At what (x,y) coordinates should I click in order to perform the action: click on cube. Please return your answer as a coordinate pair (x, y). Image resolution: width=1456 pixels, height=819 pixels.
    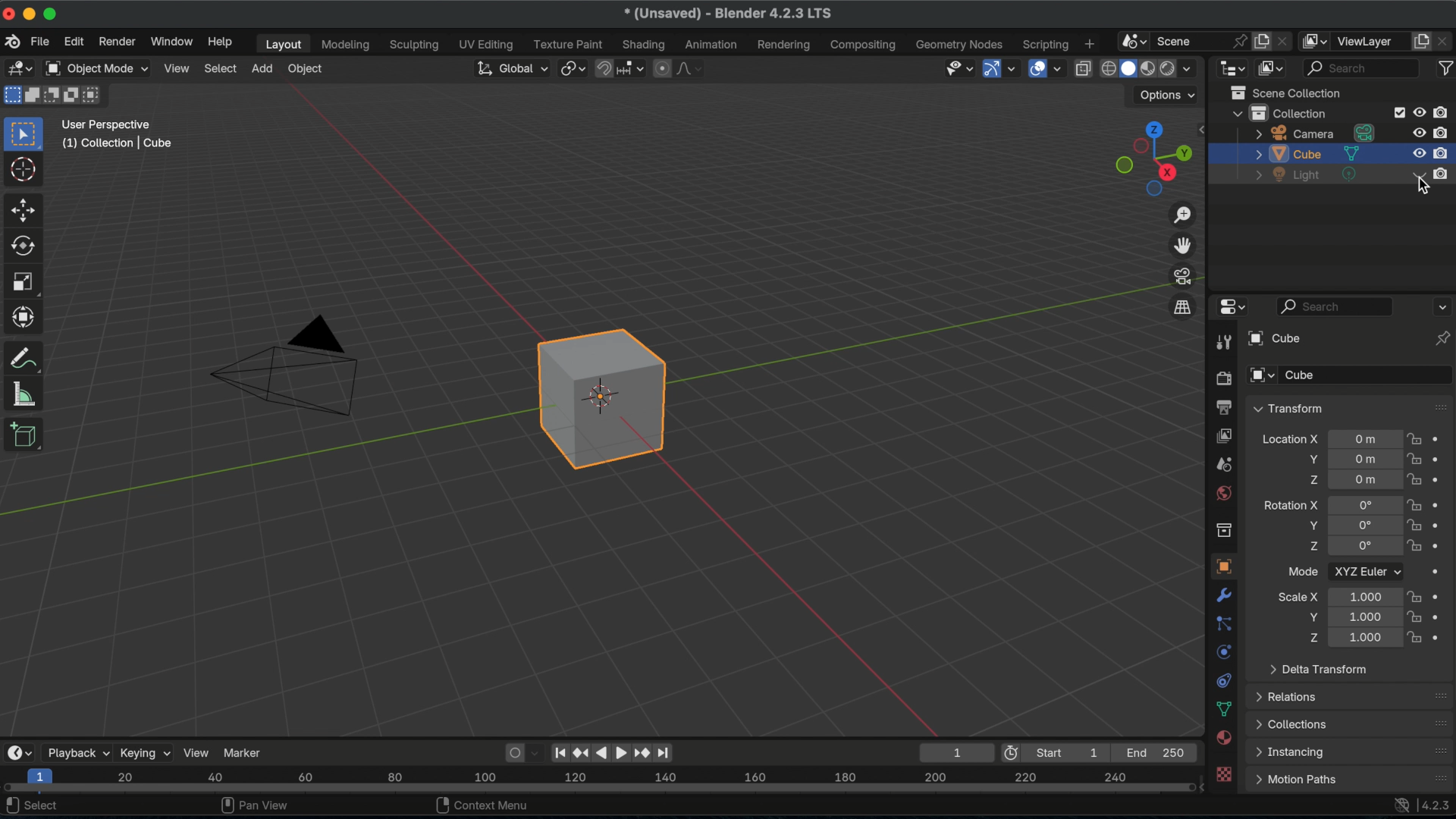
    Looking at the image, I should click on (1301, 375).